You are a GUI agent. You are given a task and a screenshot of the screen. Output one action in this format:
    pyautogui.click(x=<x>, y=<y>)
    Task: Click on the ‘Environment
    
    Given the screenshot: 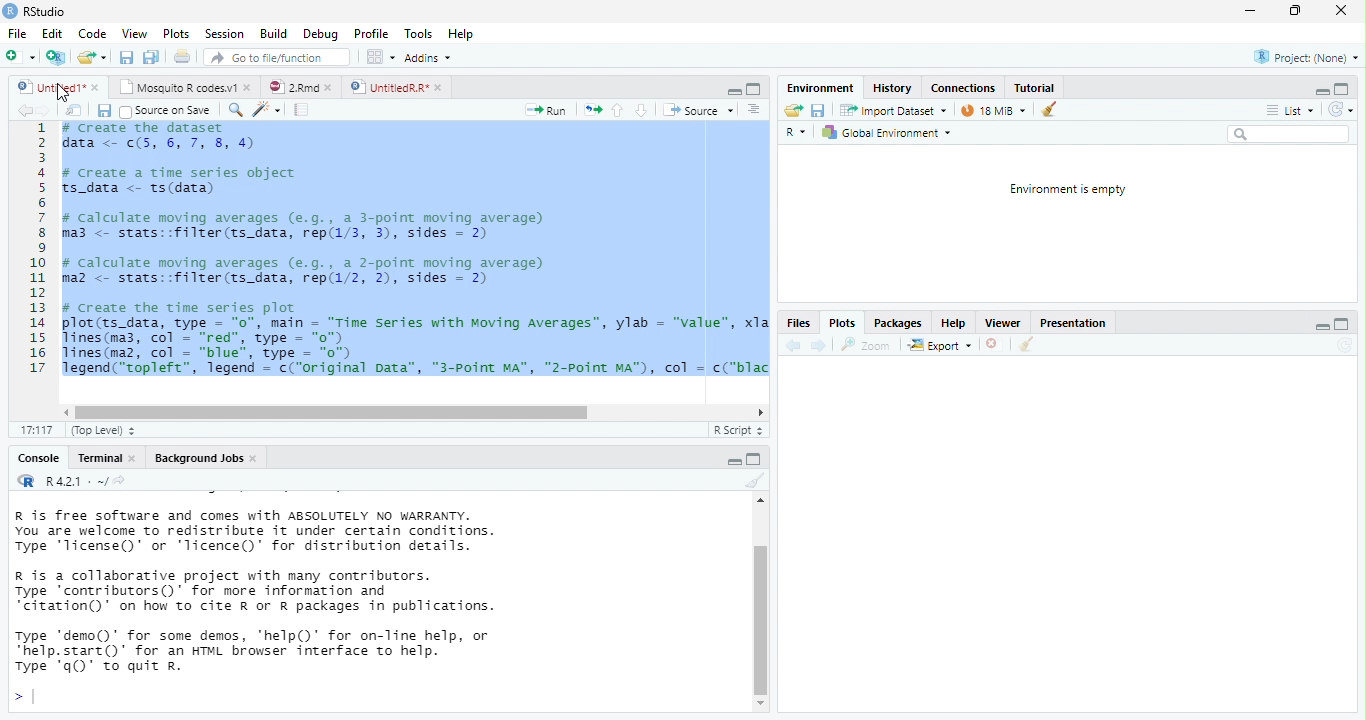 What is the action you would take?
    pyautogui.click(x=819, y=88)
    